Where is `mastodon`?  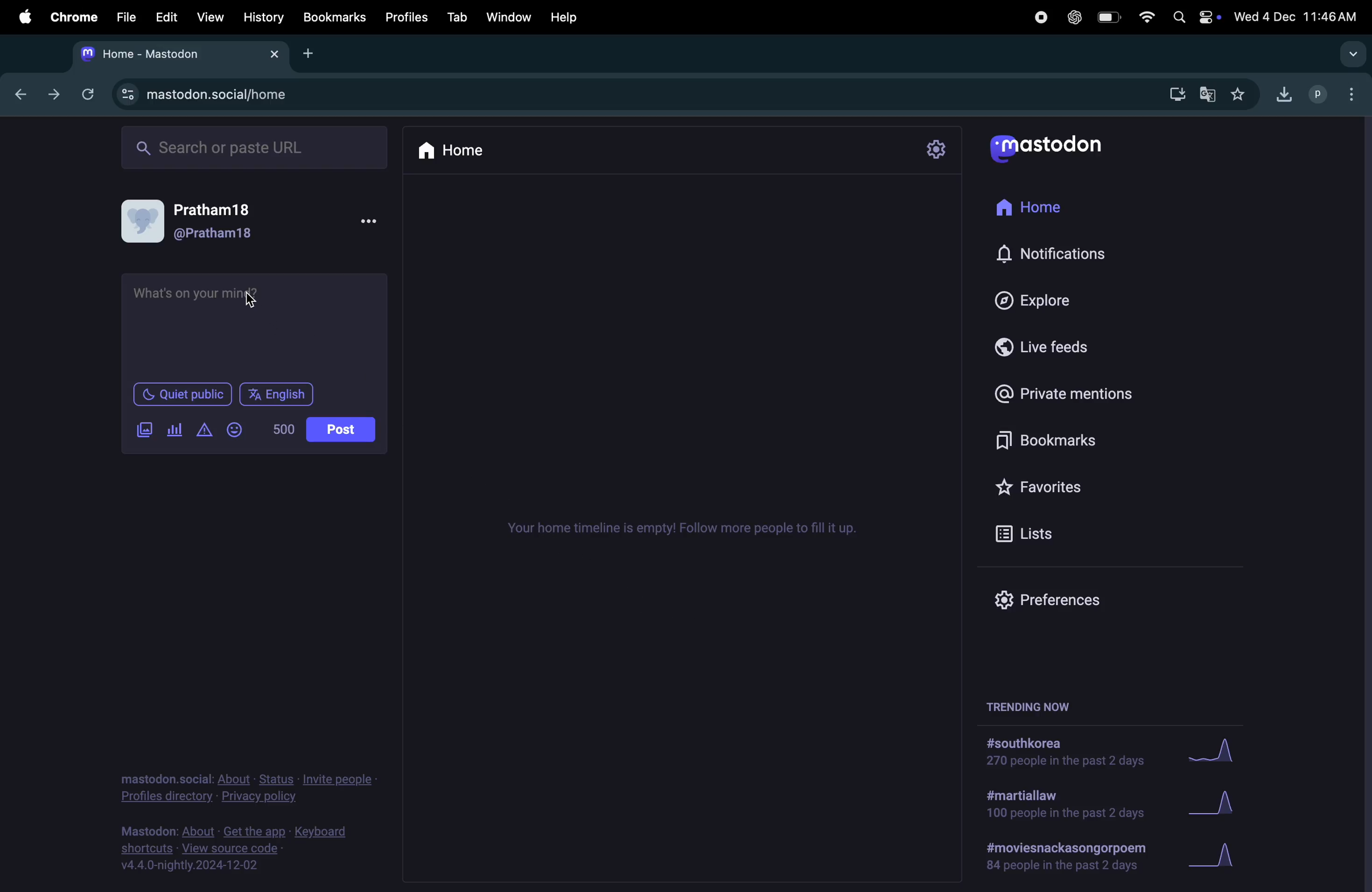 mastodon is located at coordinates (1053, 146).